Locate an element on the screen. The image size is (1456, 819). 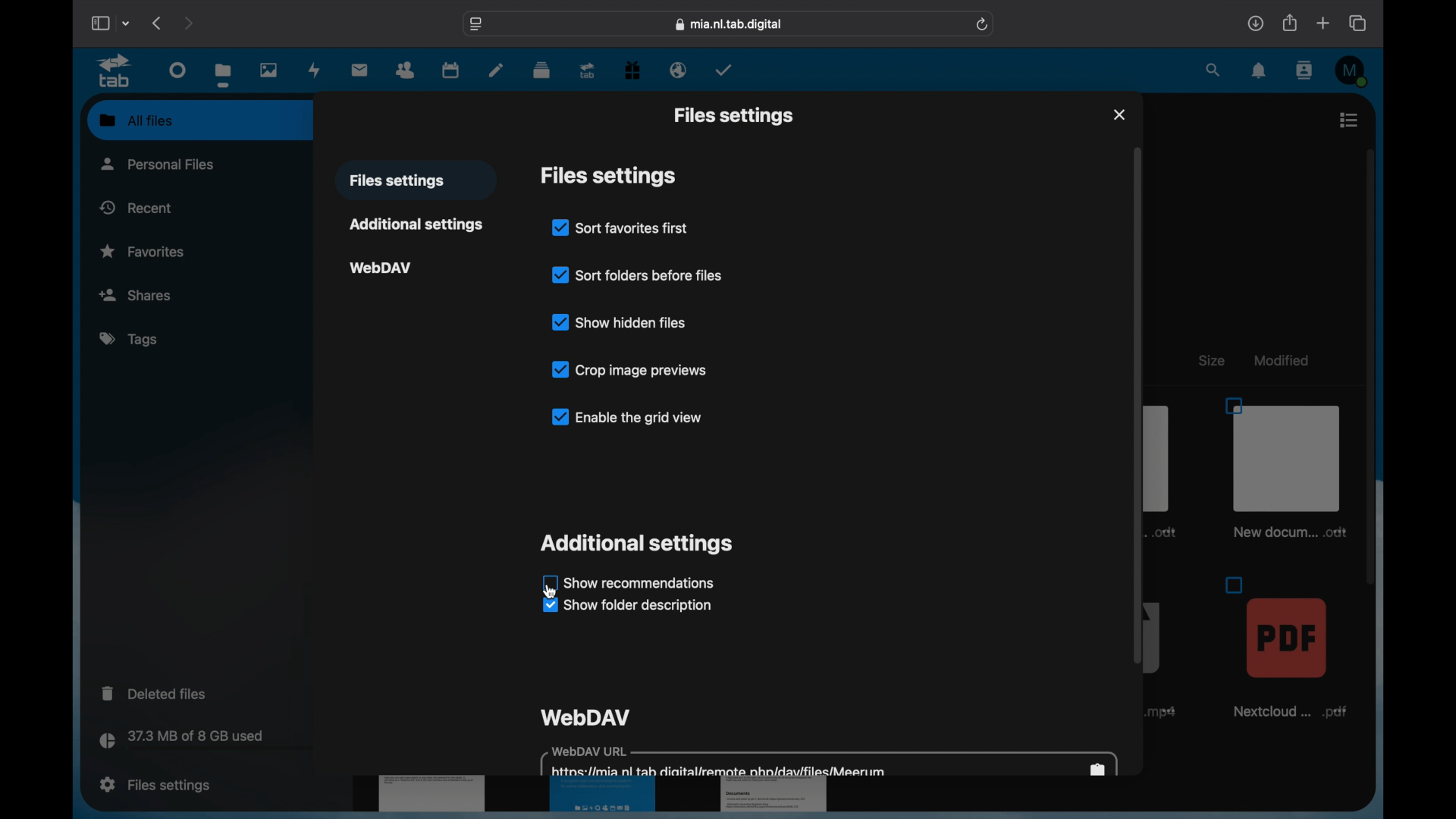
document is located at coordinates (773, 802).